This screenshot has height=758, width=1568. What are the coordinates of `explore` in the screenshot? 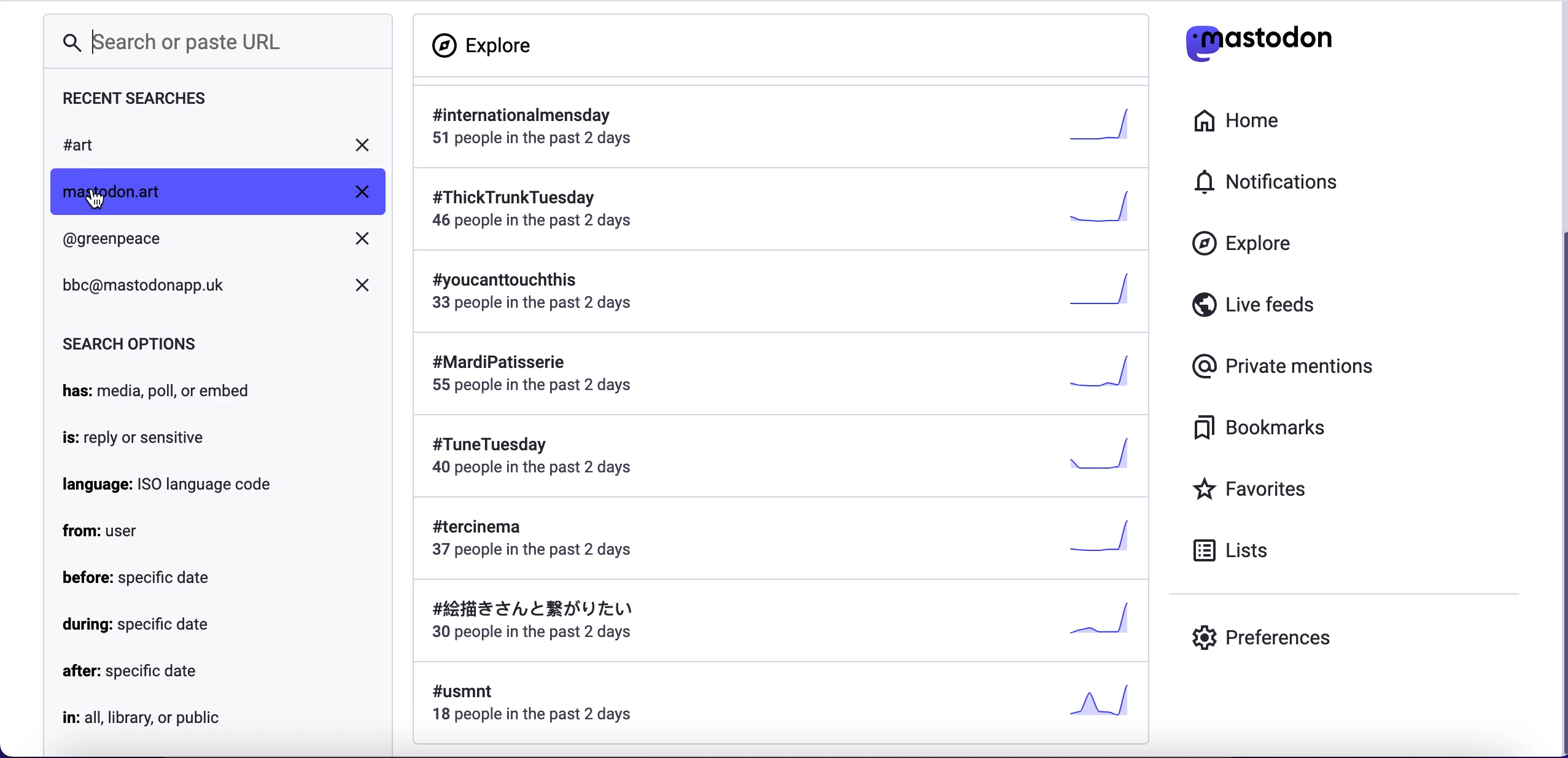 It's located at (488, 45).